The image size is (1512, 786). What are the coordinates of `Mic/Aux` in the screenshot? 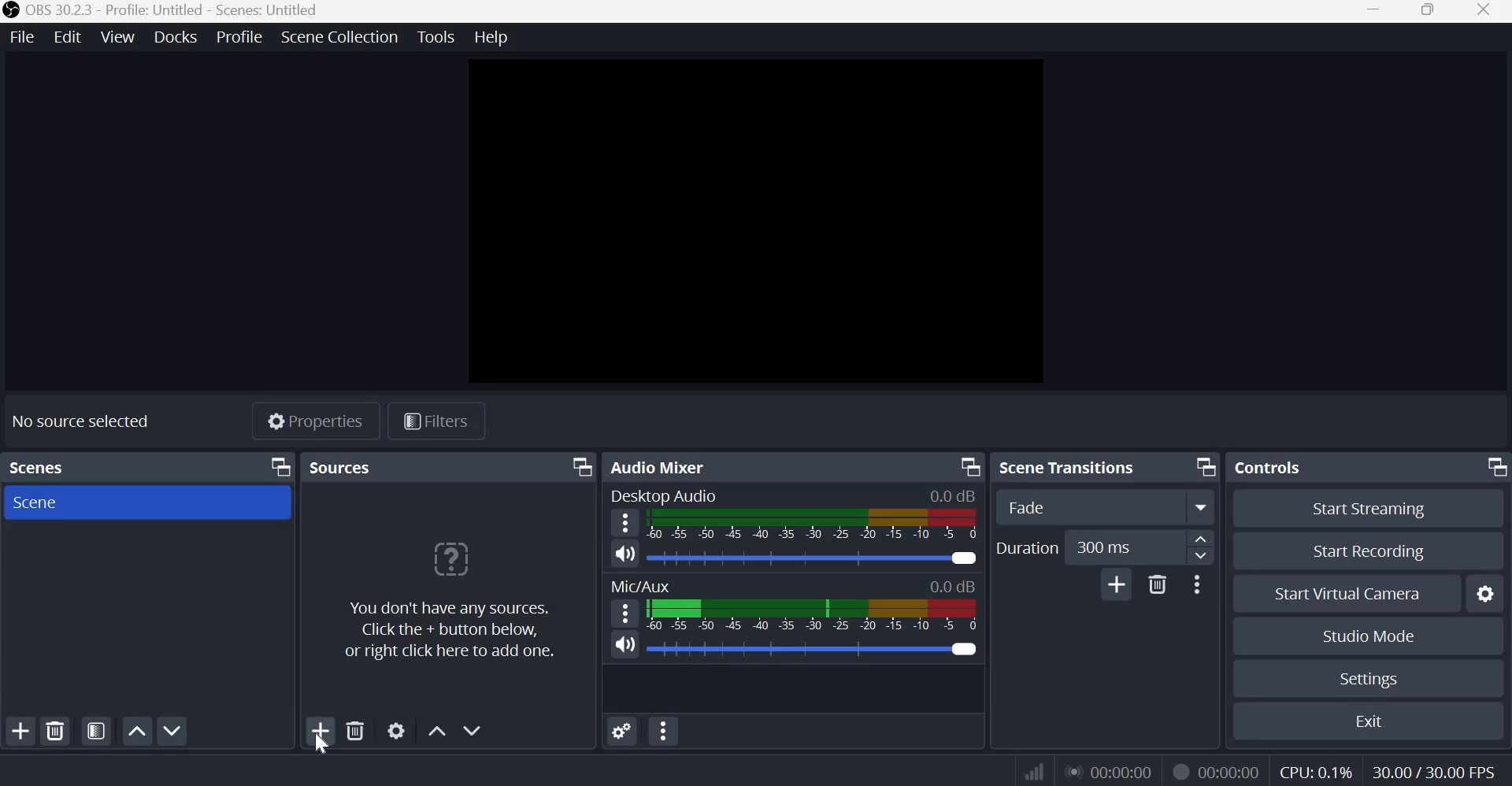 It's located at (642, 585).